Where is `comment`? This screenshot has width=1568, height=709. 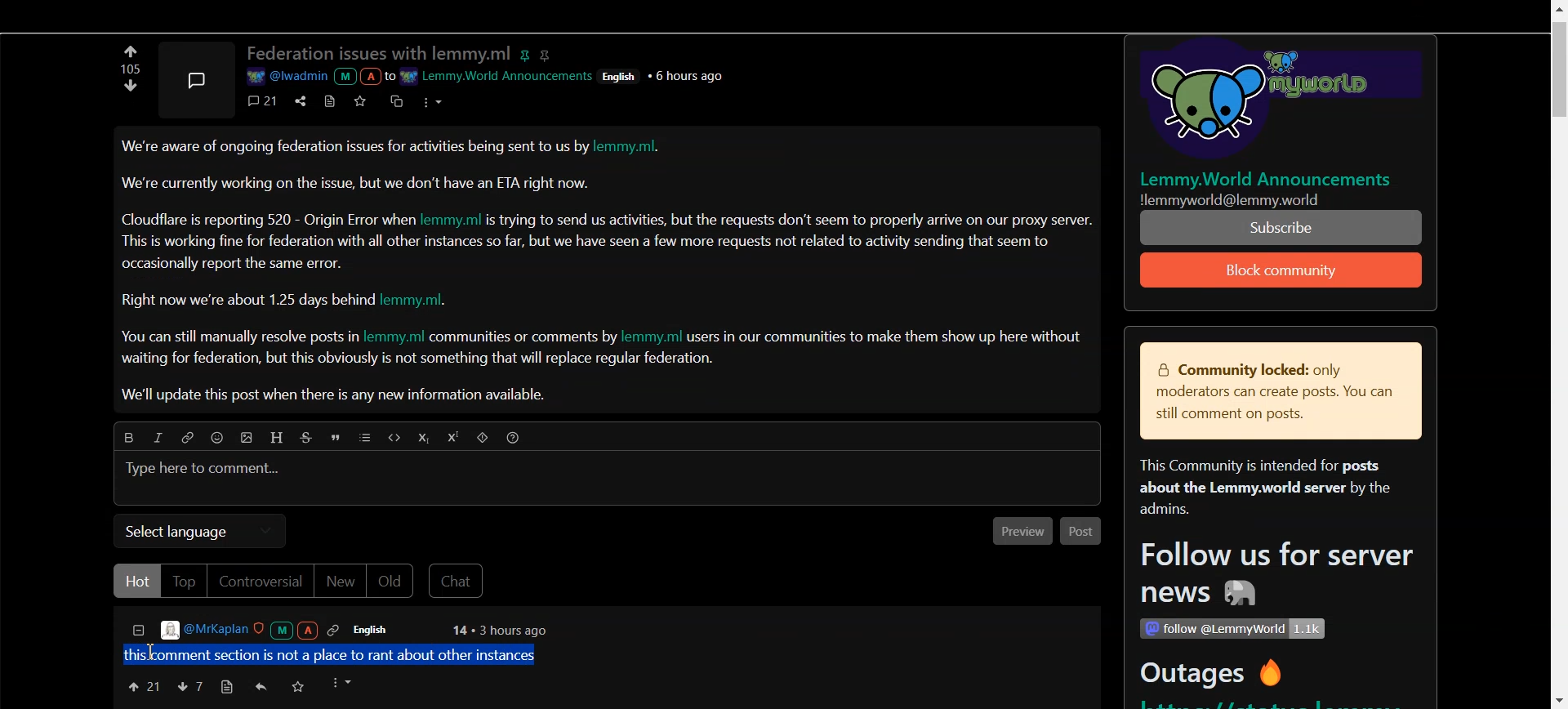 comment is located at coordinates (264, 100).